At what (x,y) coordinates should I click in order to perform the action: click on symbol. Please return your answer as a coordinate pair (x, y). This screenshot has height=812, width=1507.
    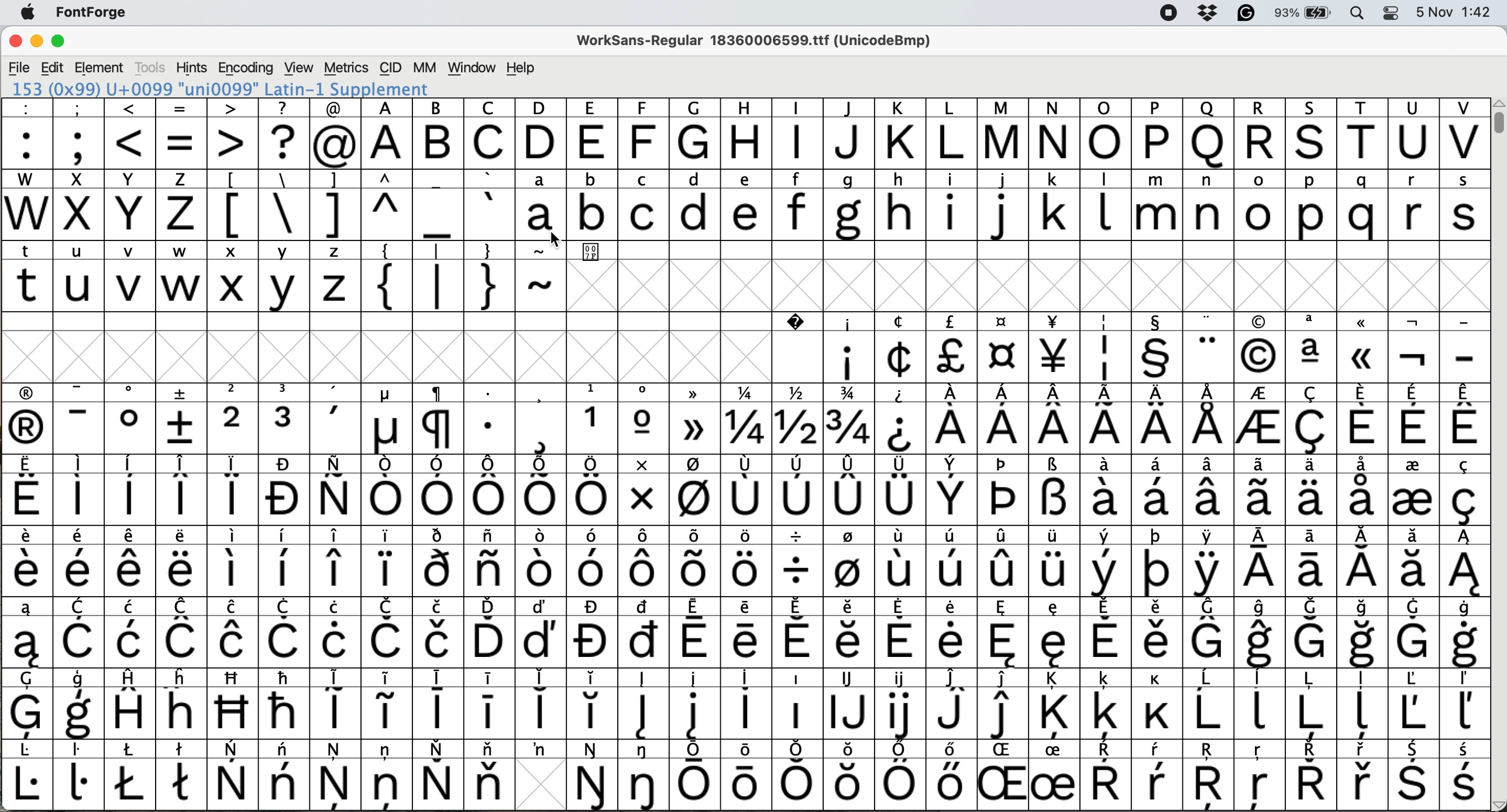
    Looking at the image, I should click on (642, 490).